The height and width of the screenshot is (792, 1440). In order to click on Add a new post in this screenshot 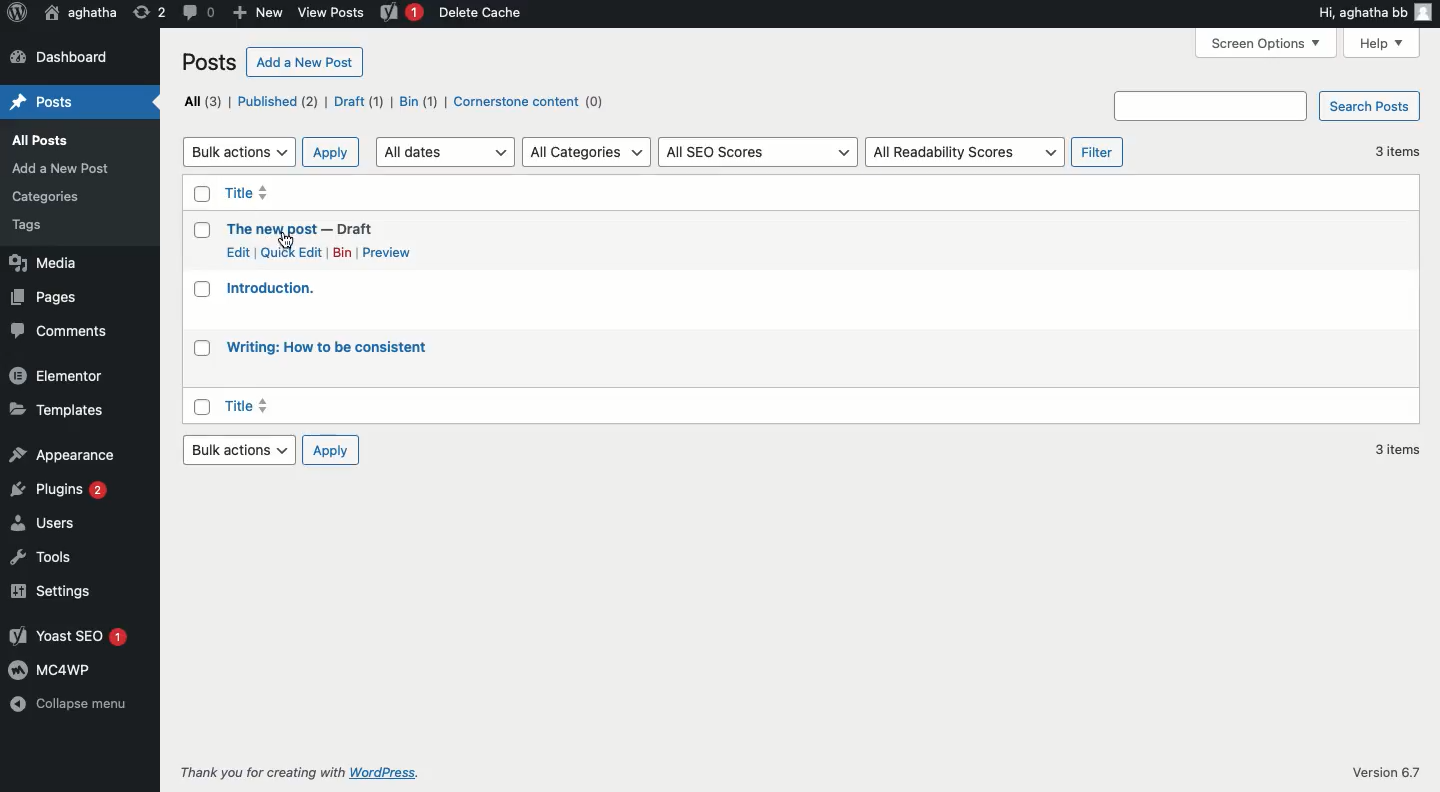, I will do `click(306, 62)`.